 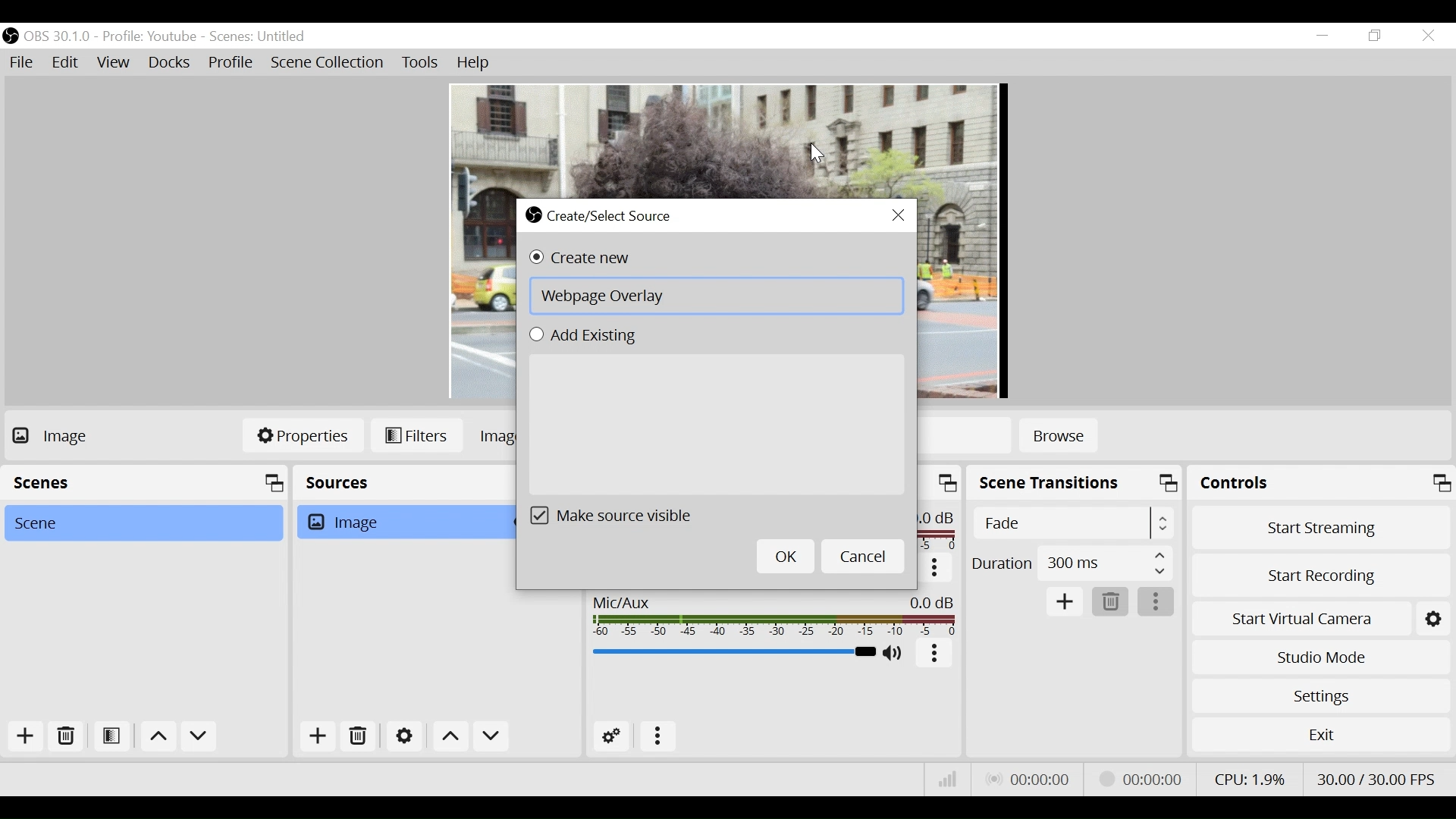 I want to click on Start Streaming, so click(x=1320, y=529).